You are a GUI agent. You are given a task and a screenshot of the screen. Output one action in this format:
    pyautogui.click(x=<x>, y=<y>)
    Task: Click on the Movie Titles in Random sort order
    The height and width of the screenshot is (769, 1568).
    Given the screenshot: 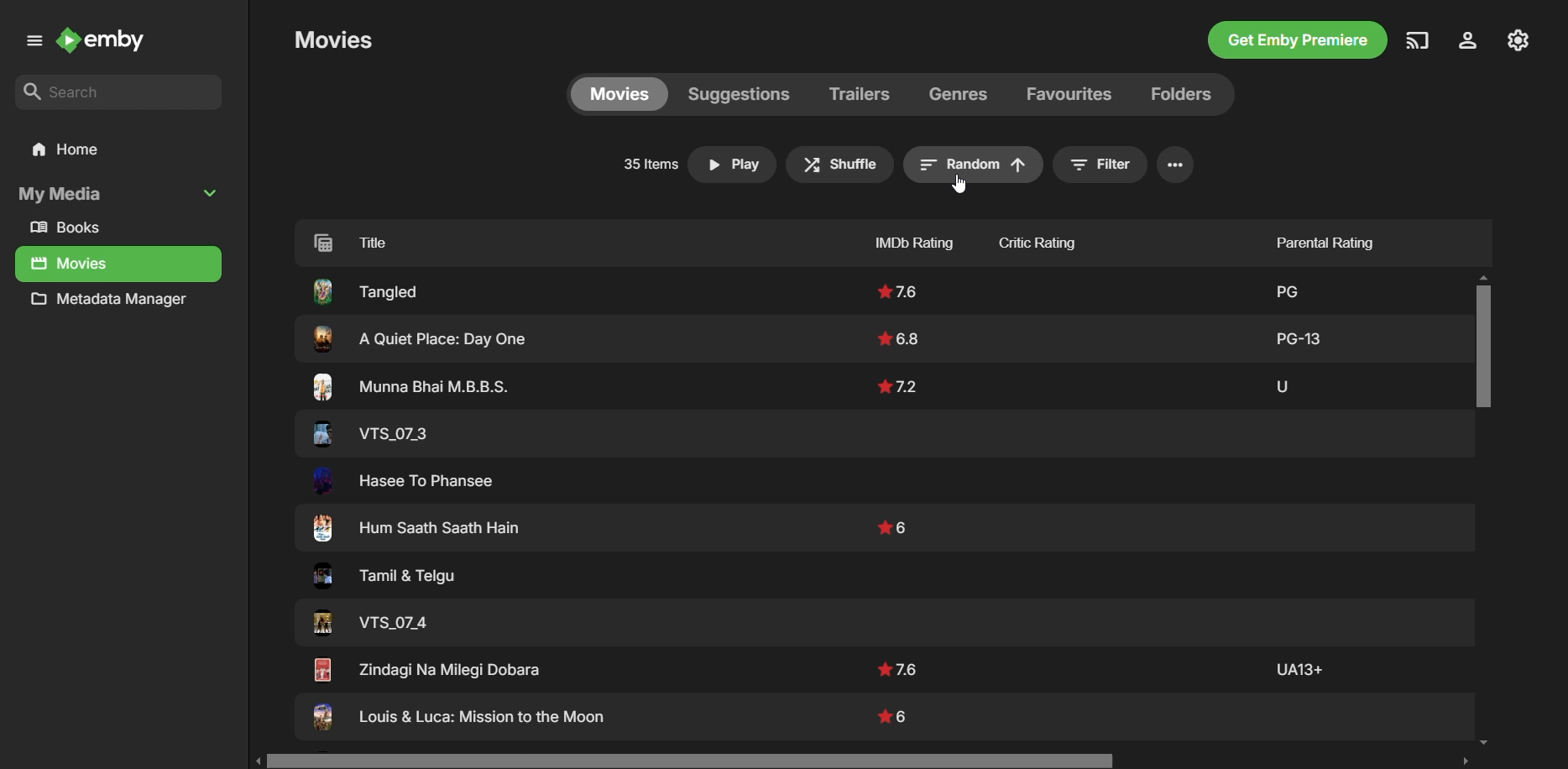 What is the action you would take?
    pyautogui.click(x=542, y=241)
    